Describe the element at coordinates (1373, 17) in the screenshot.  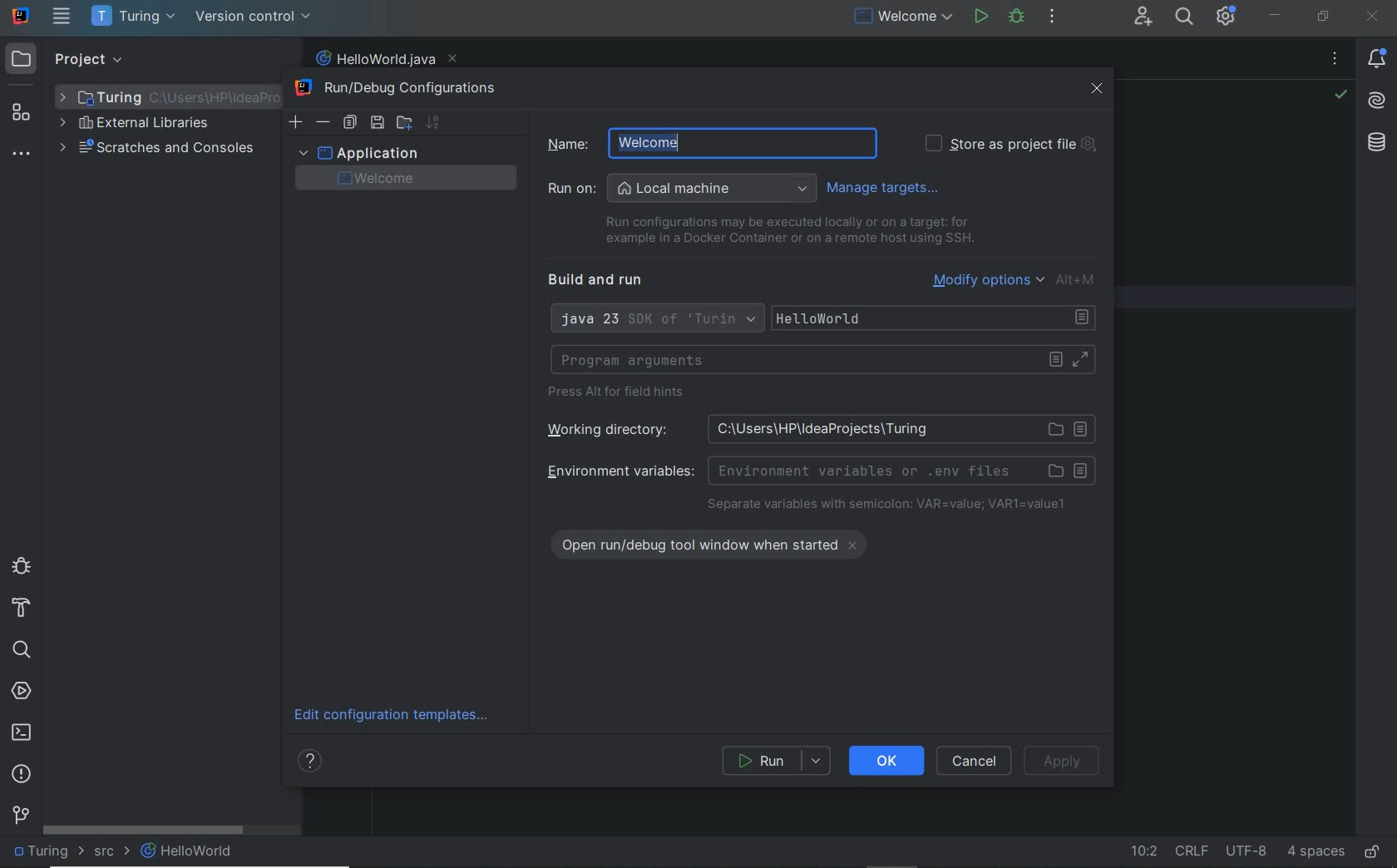
I see `CLOSE` at that location.